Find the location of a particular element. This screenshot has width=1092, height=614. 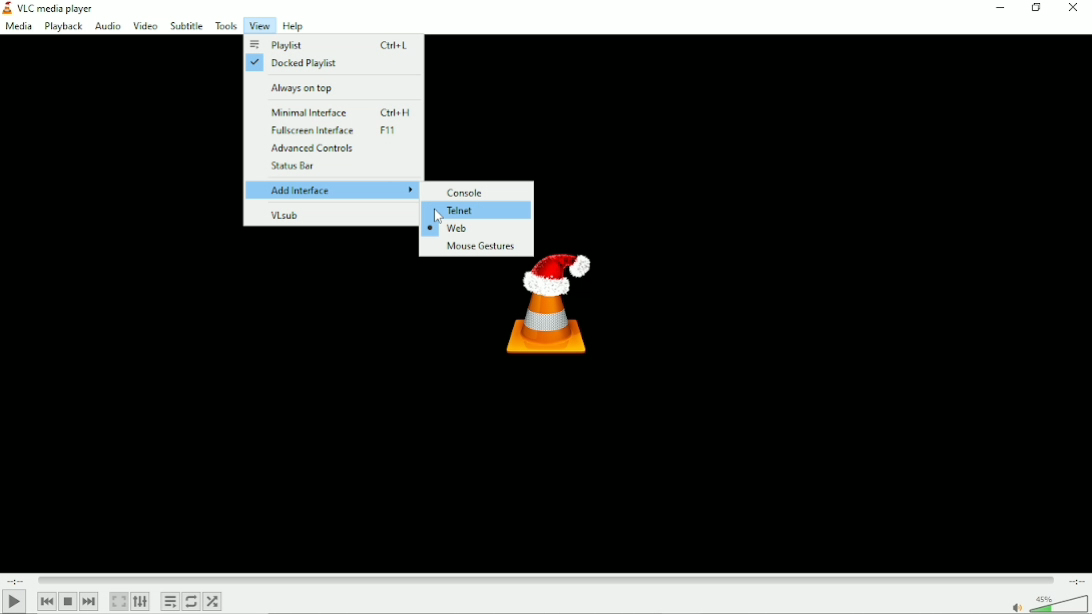

Total duration is located at coordinates (1076, 582).